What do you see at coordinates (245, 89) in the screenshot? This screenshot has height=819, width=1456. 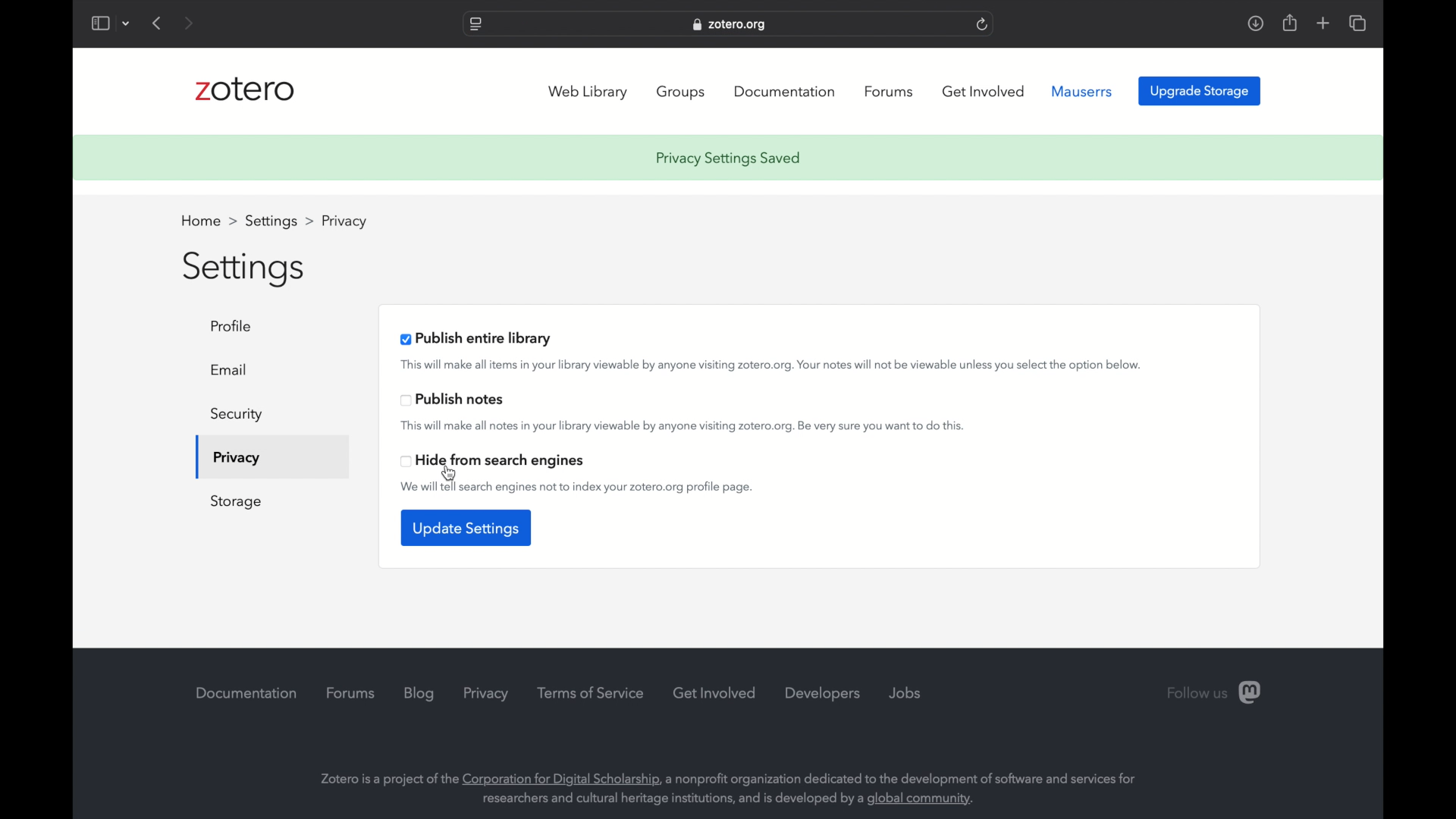 I see `zotero` at bounding box center [245, 89].